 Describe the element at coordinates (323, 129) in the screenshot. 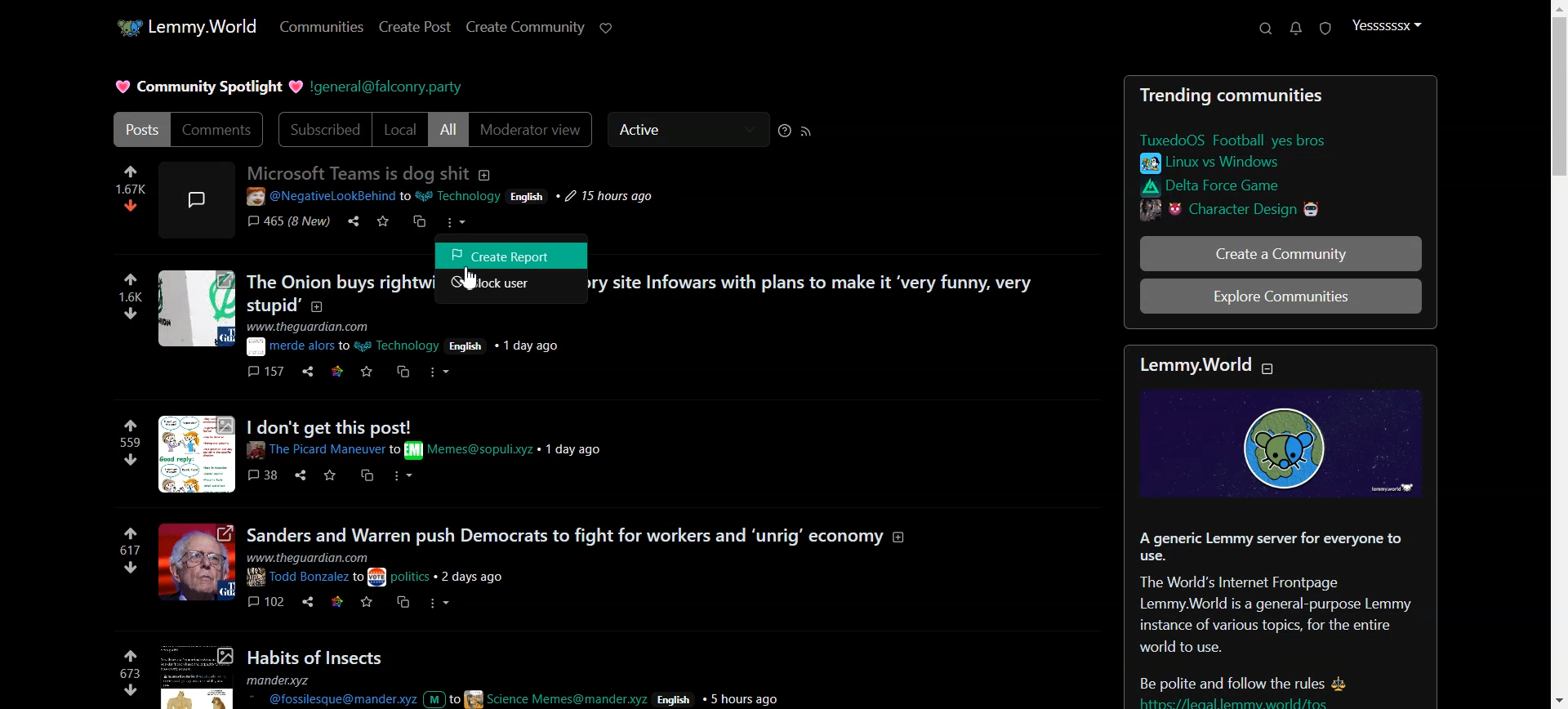

I see `Subscribed` at that location.